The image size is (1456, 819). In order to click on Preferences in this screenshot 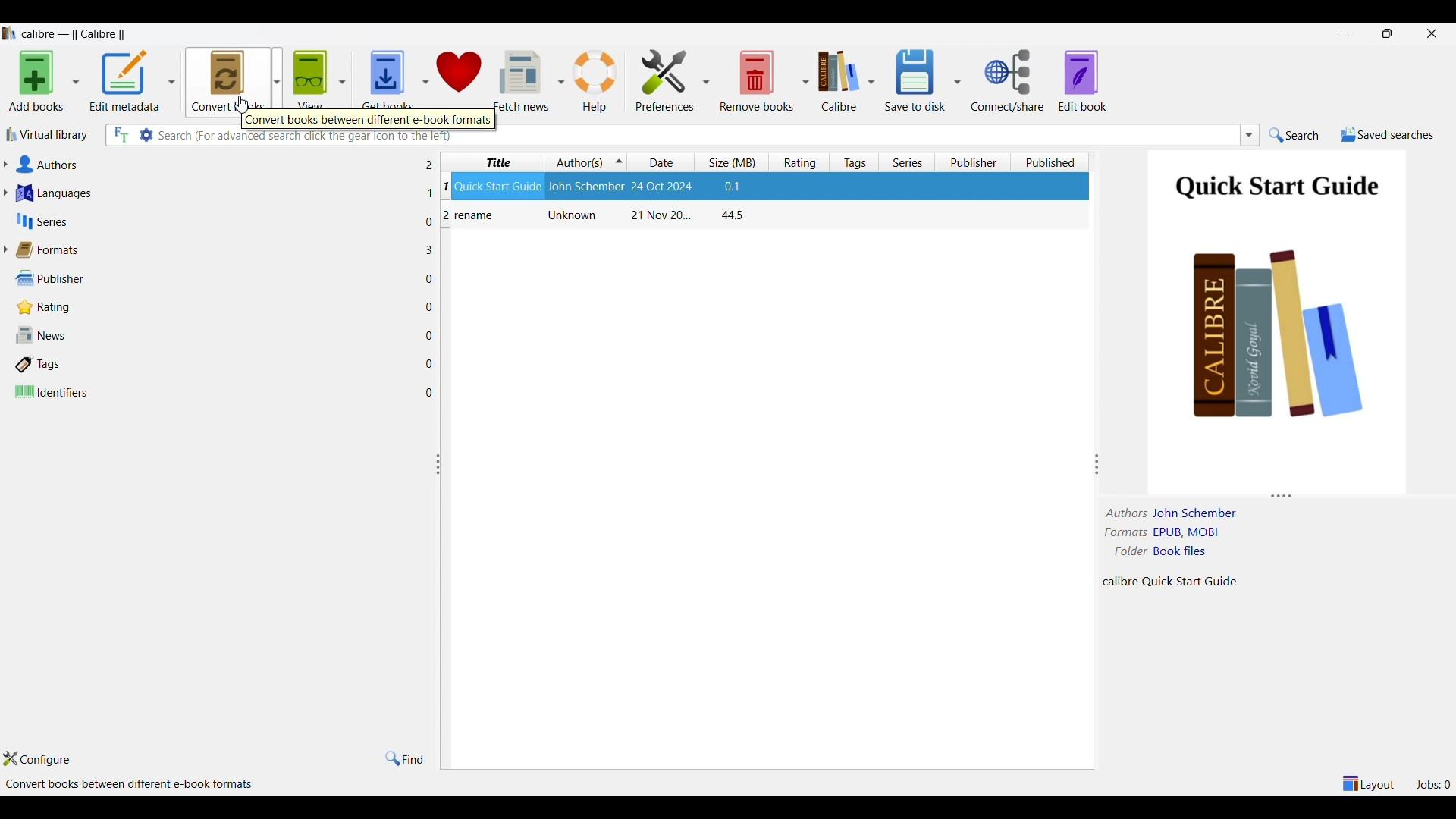, I will do `click(665, 81)`.